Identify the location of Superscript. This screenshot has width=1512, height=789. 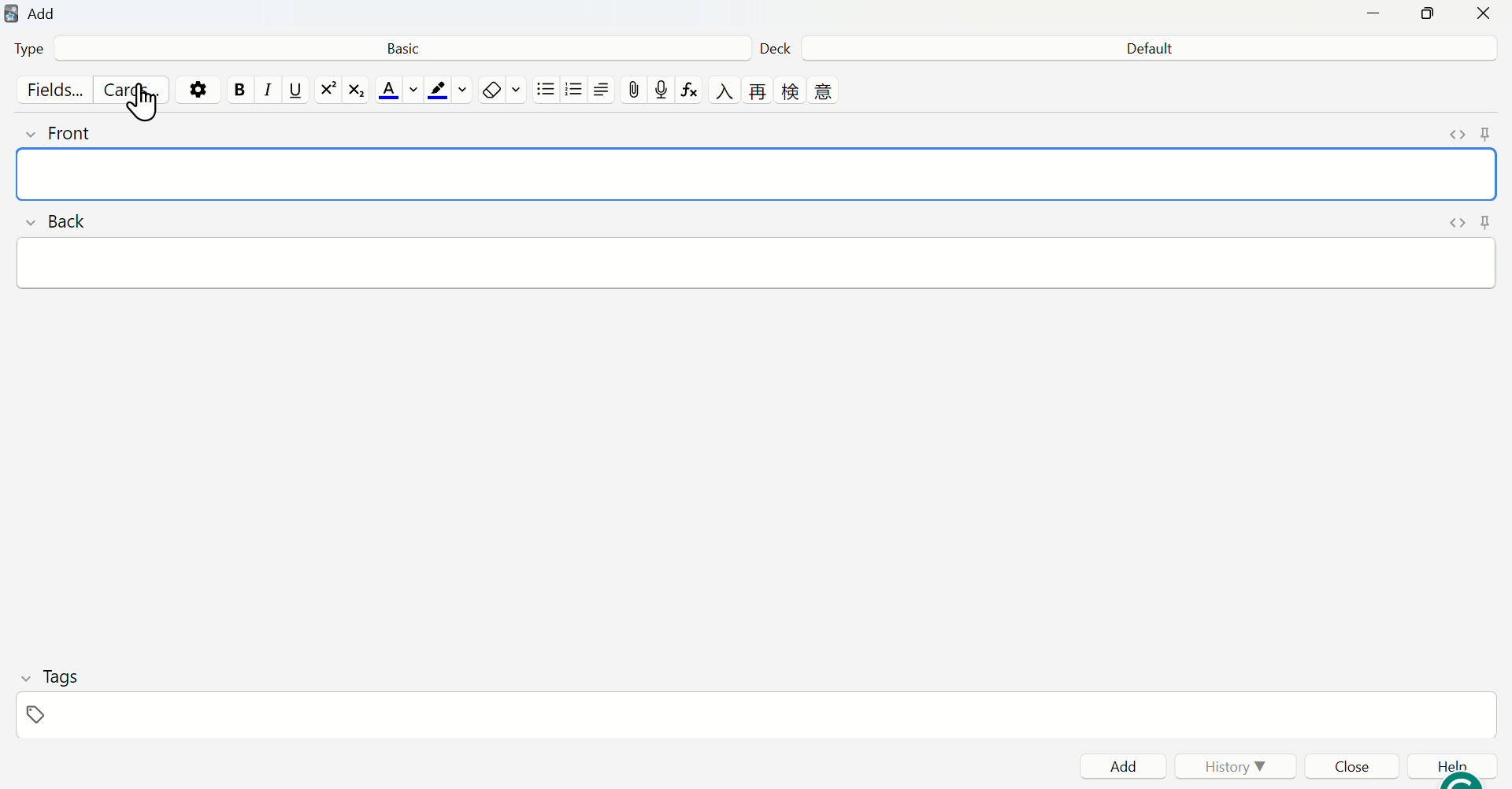
(328, 90).